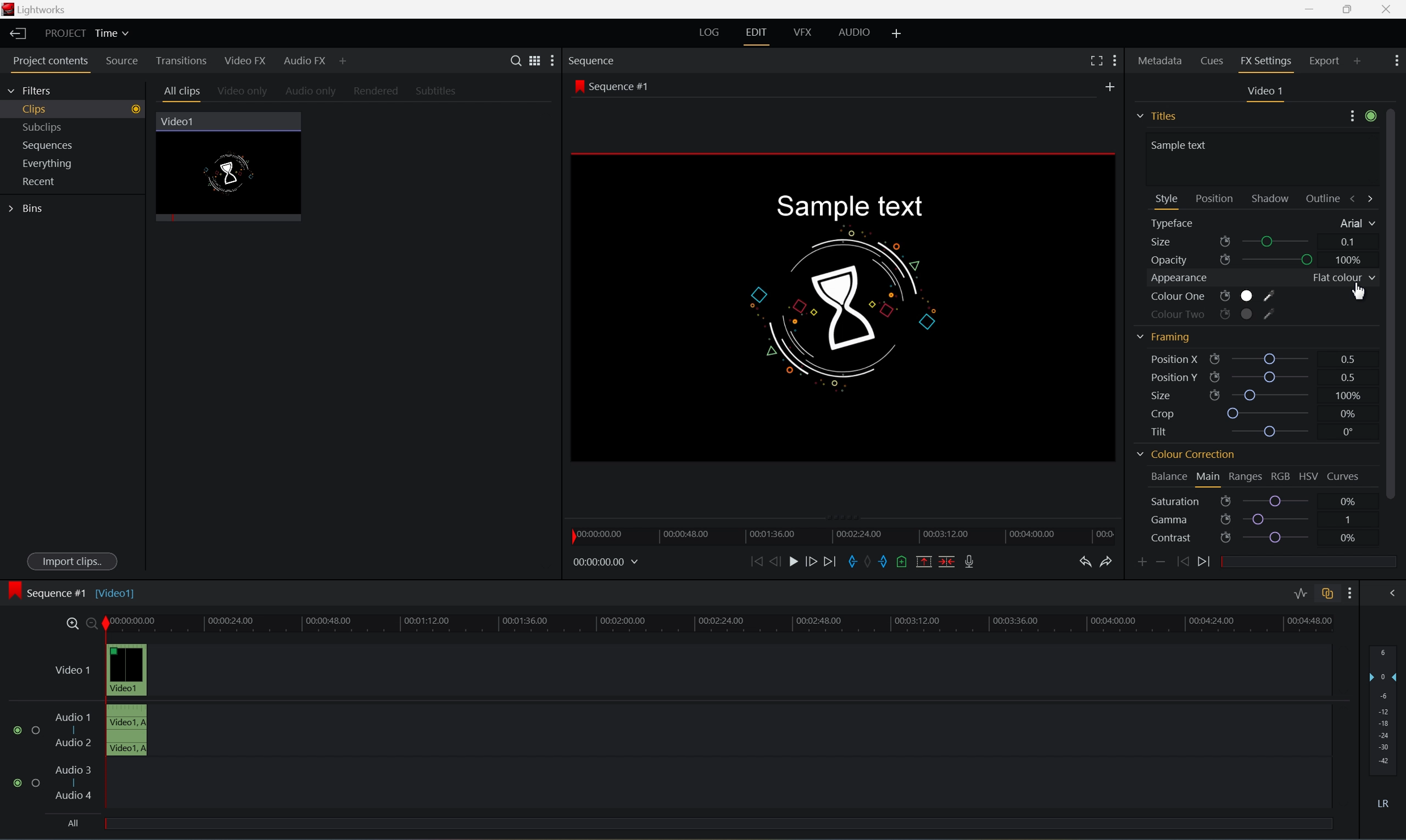 The image size is (1406, 840). Describe the element at coordinates (1272, 395) in the screenshot. I see `slider` at that location.